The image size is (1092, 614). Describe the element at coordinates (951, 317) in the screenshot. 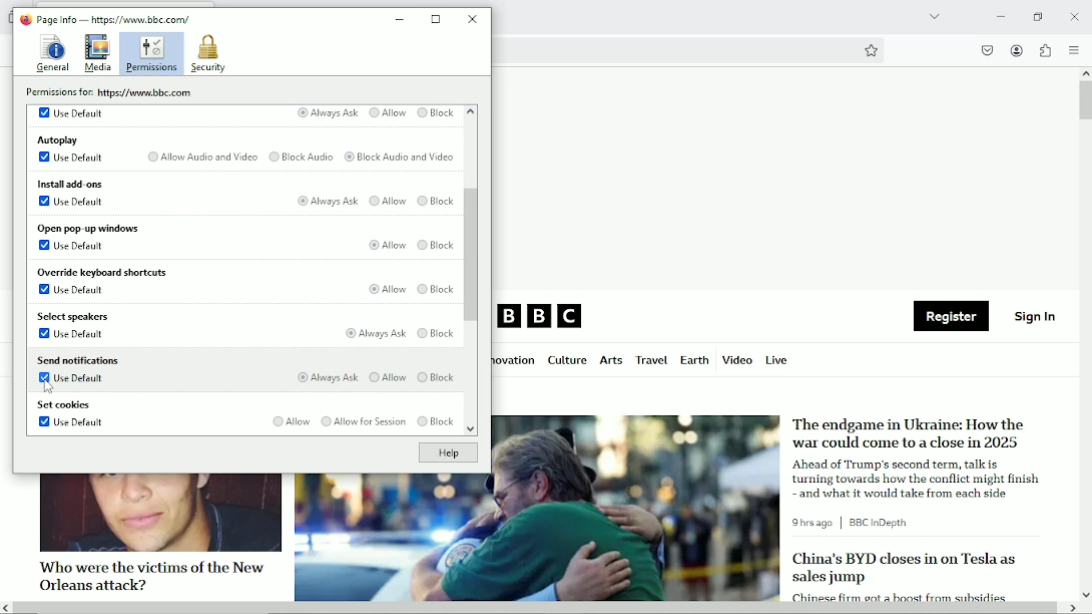

I see `Register` at that location.